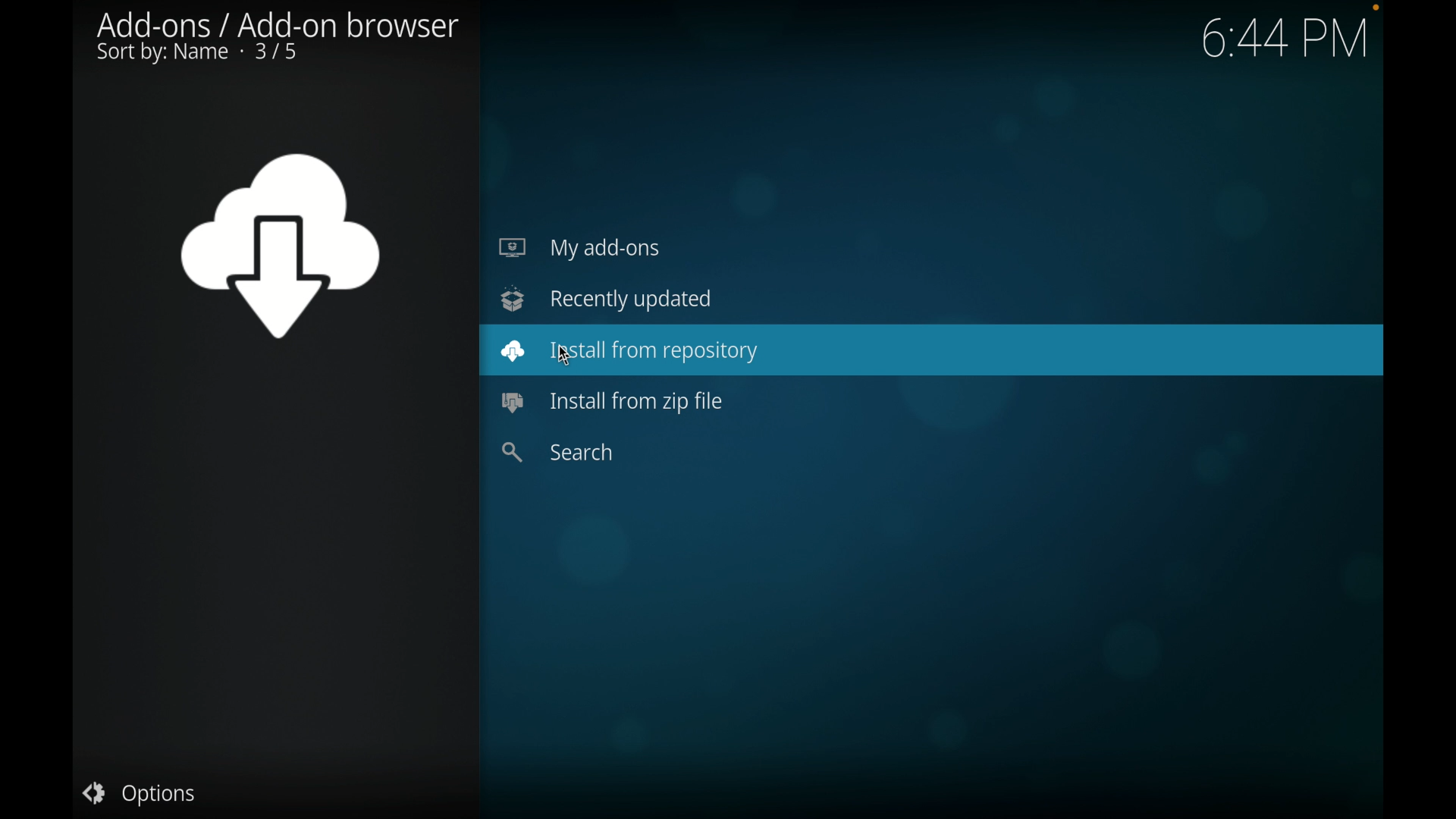  I want to click on mouse pointer, so click(566, 356).